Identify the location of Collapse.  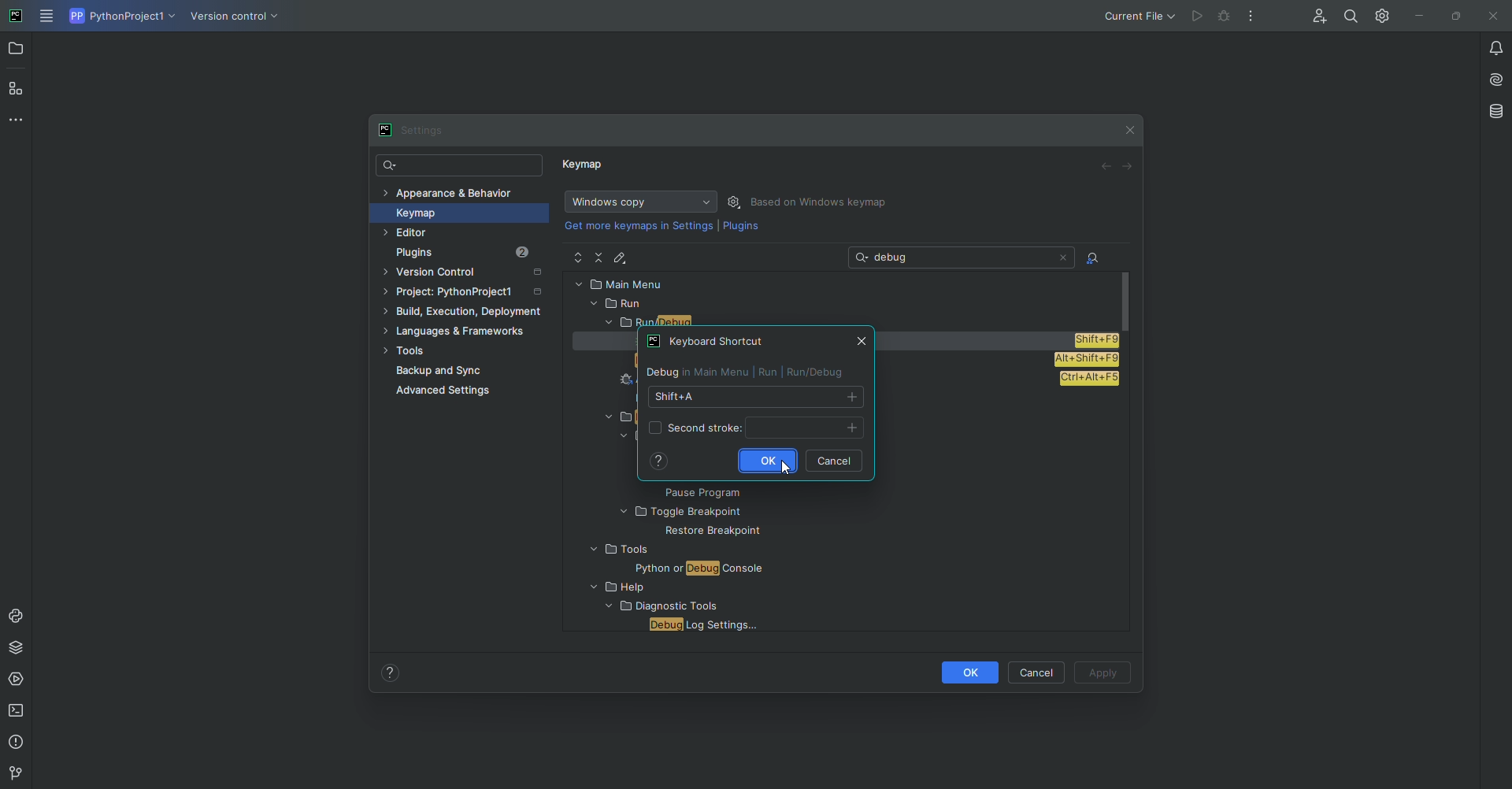
(600, 257).